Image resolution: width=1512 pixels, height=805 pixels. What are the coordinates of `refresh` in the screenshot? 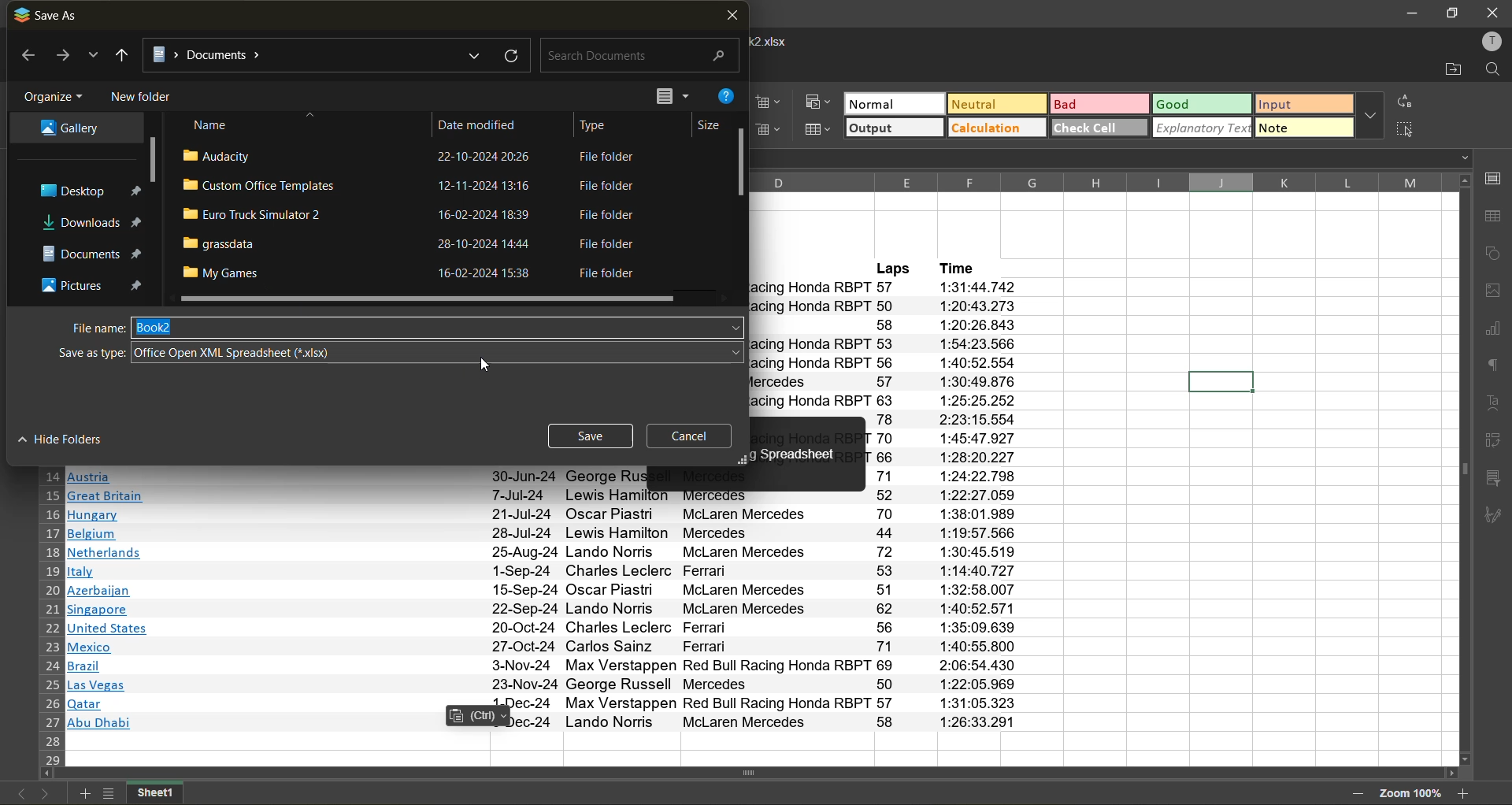 It's located at (509, 54).